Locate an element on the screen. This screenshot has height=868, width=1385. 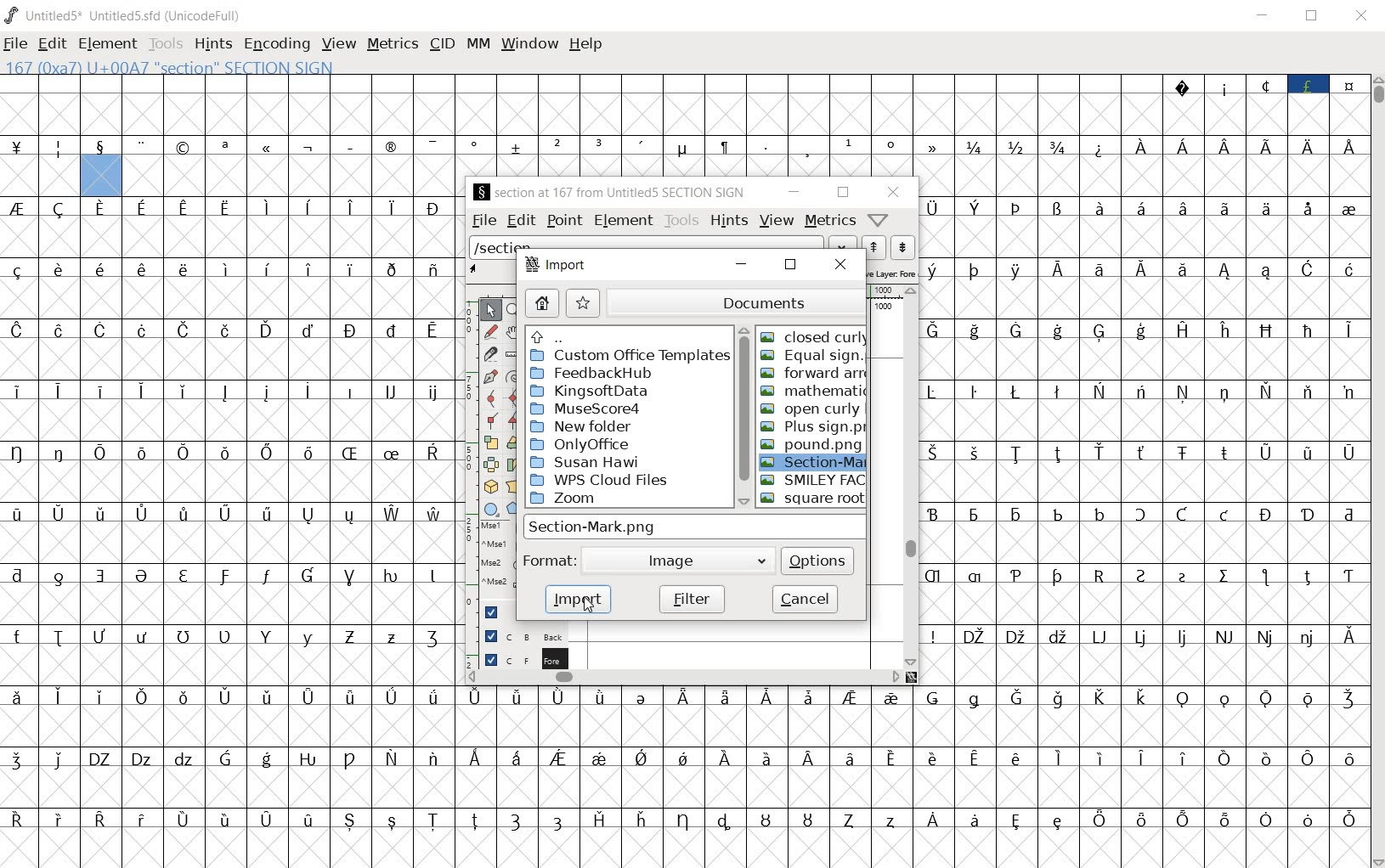
up directories is located at coordinates (629, 336).